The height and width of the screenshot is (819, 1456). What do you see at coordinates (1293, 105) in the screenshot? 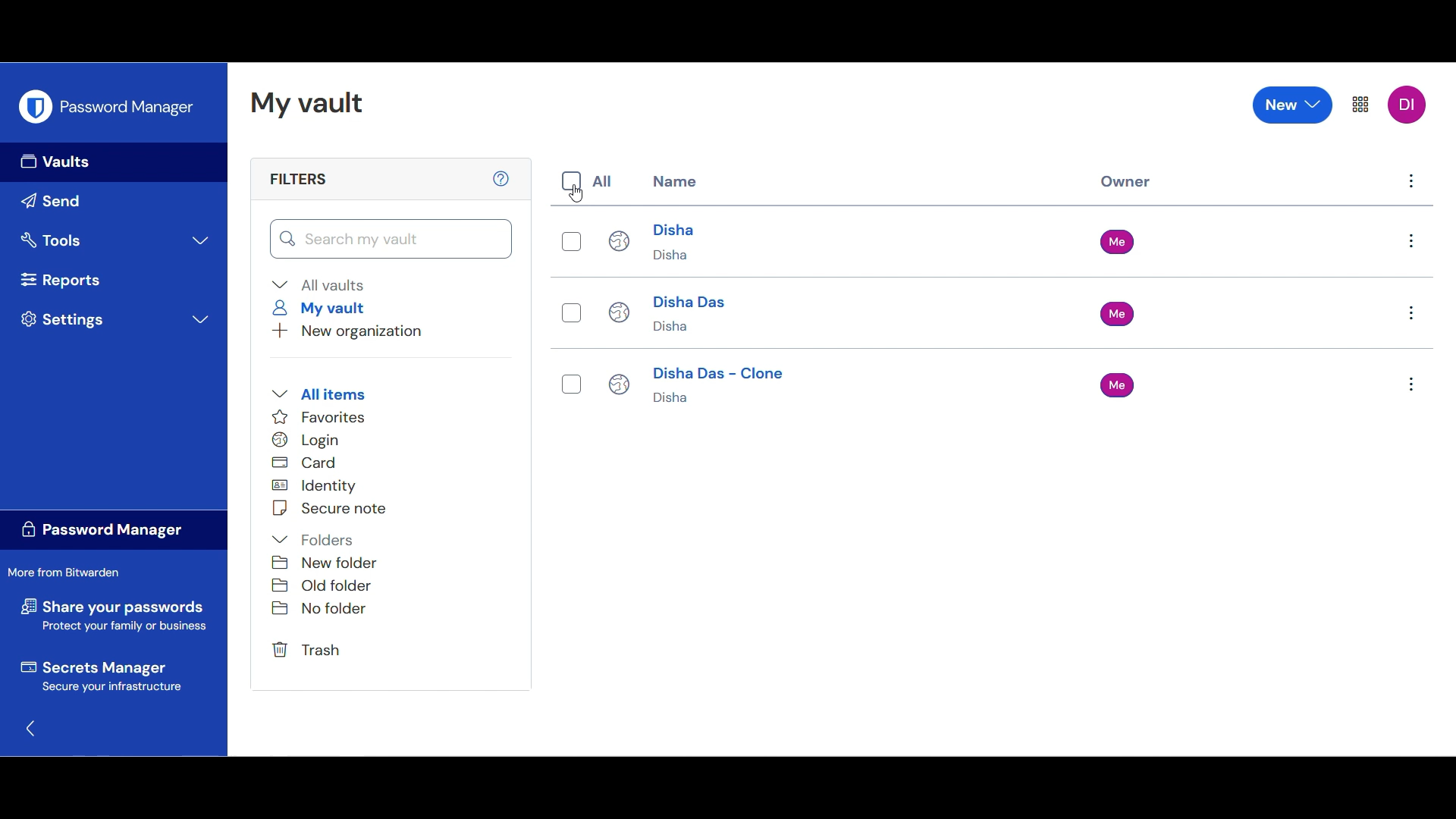
I see `New options` at bounding box center [1293, 105].